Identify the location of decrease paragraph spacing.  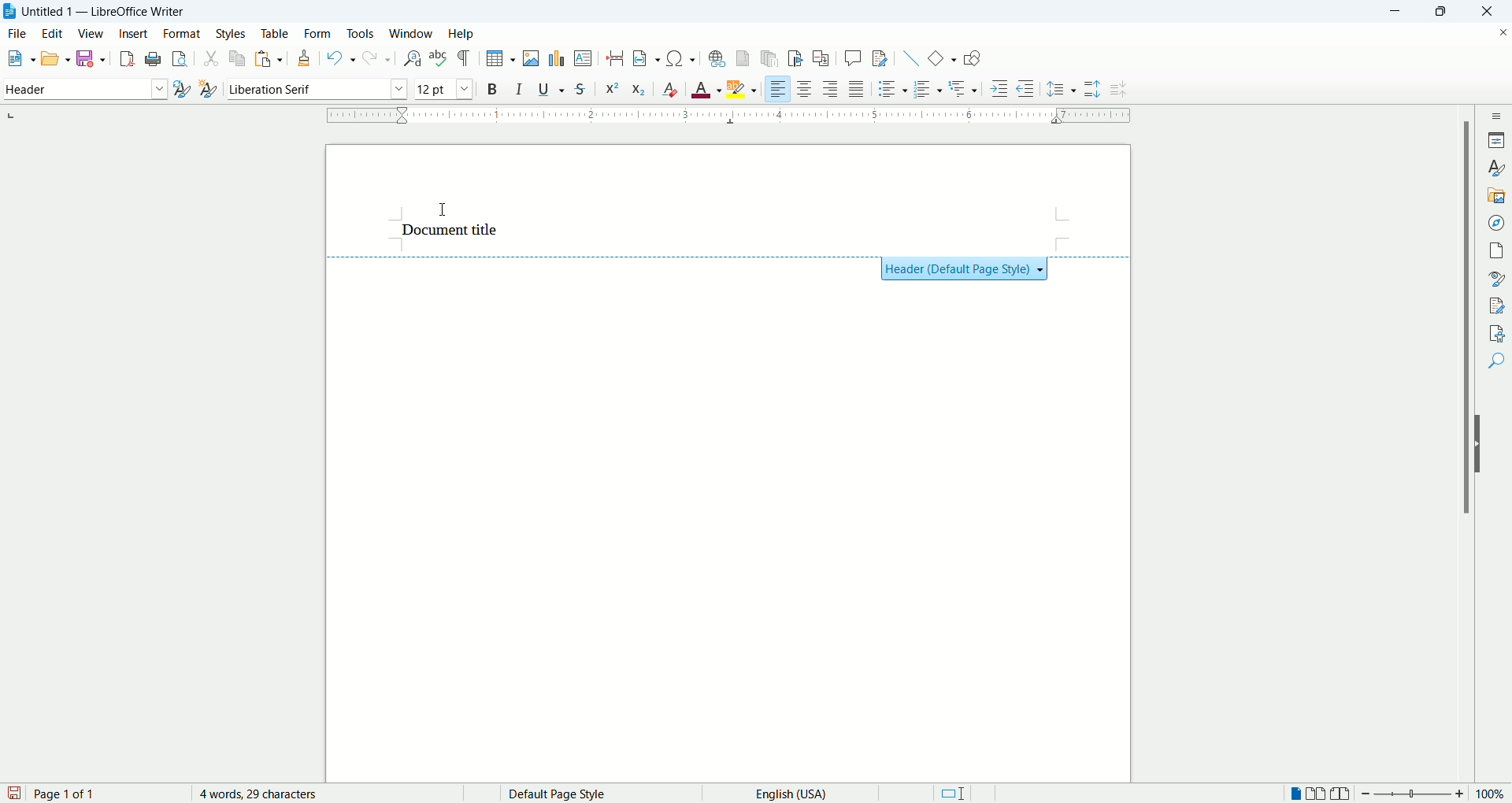
(1121, 89).